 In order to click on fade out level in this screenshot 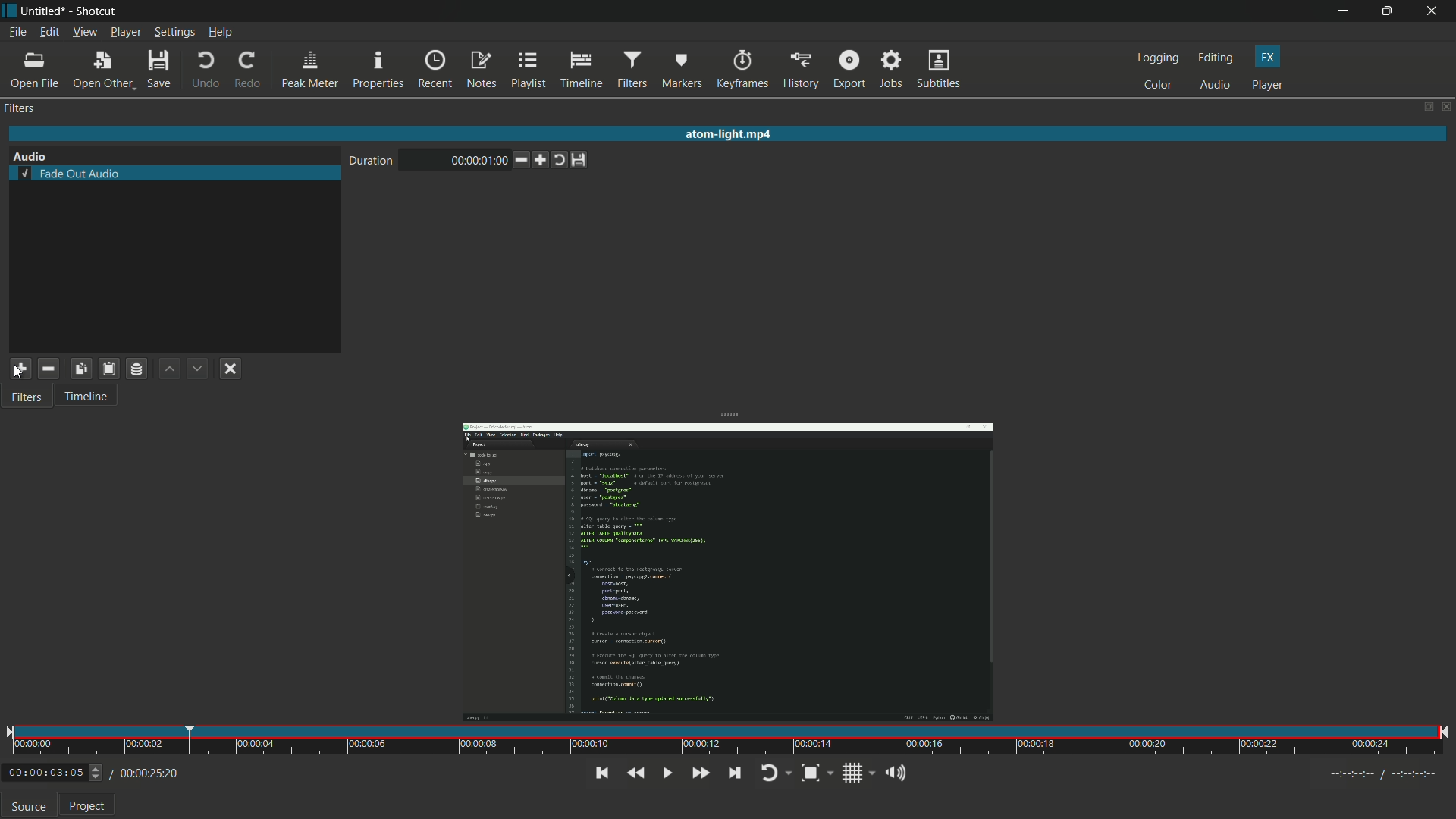, I will do `click(461, 160)`.